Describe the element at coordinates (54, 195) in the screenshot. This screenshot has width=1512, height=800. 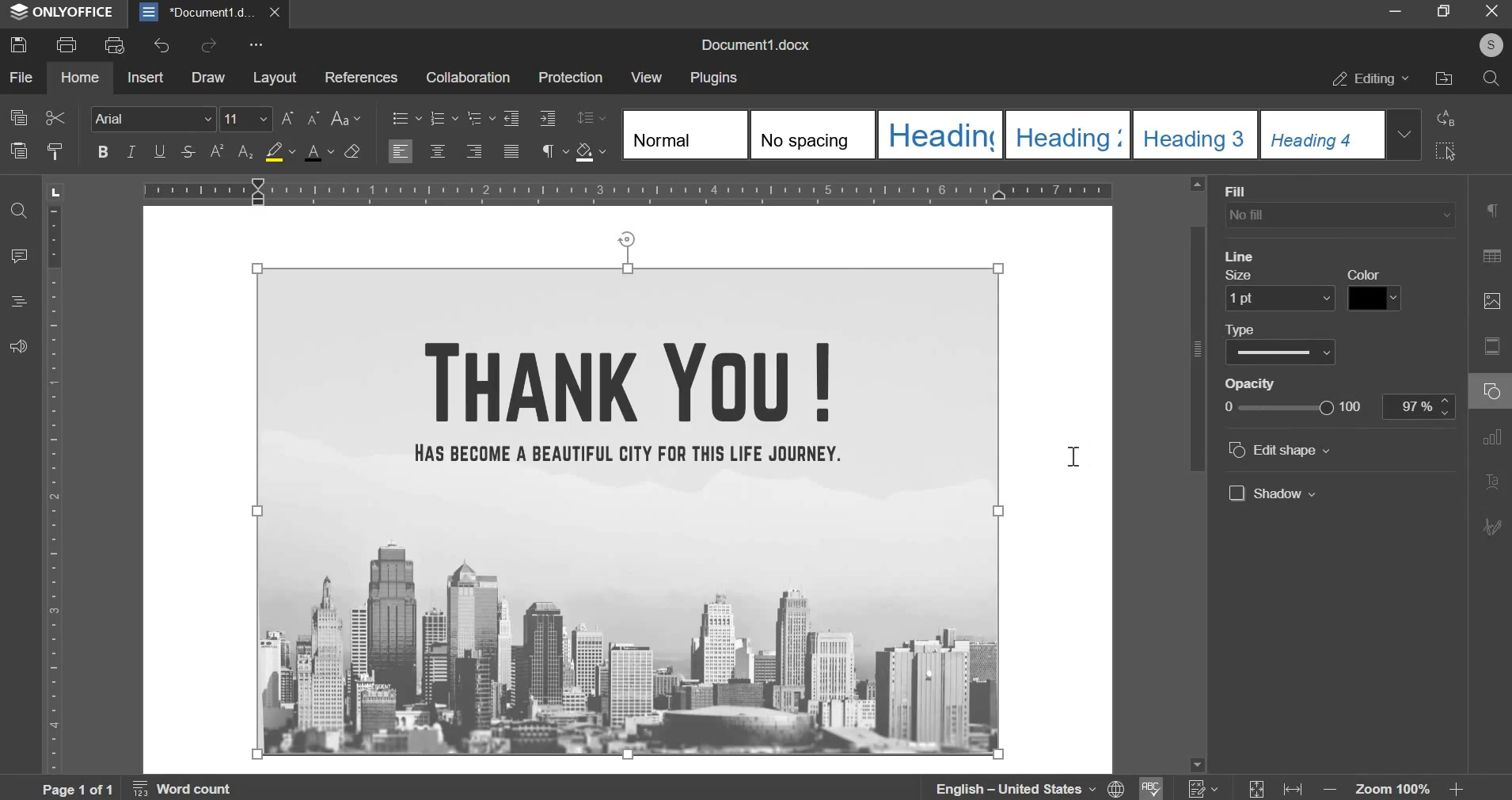
I see `tab` at that location.